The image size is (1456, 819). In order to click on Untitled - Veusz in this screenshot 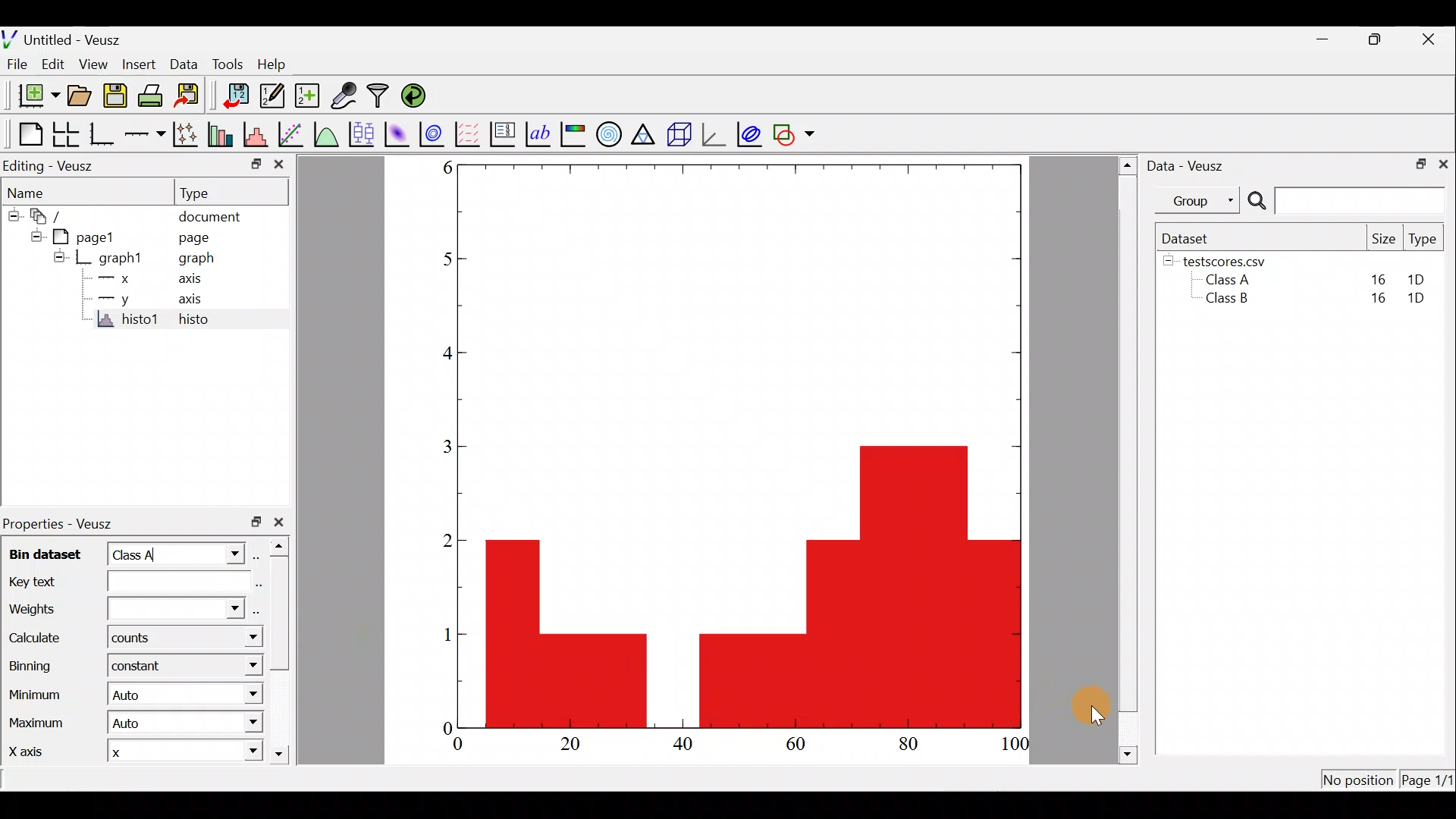, I will do `click(67, 37)`.